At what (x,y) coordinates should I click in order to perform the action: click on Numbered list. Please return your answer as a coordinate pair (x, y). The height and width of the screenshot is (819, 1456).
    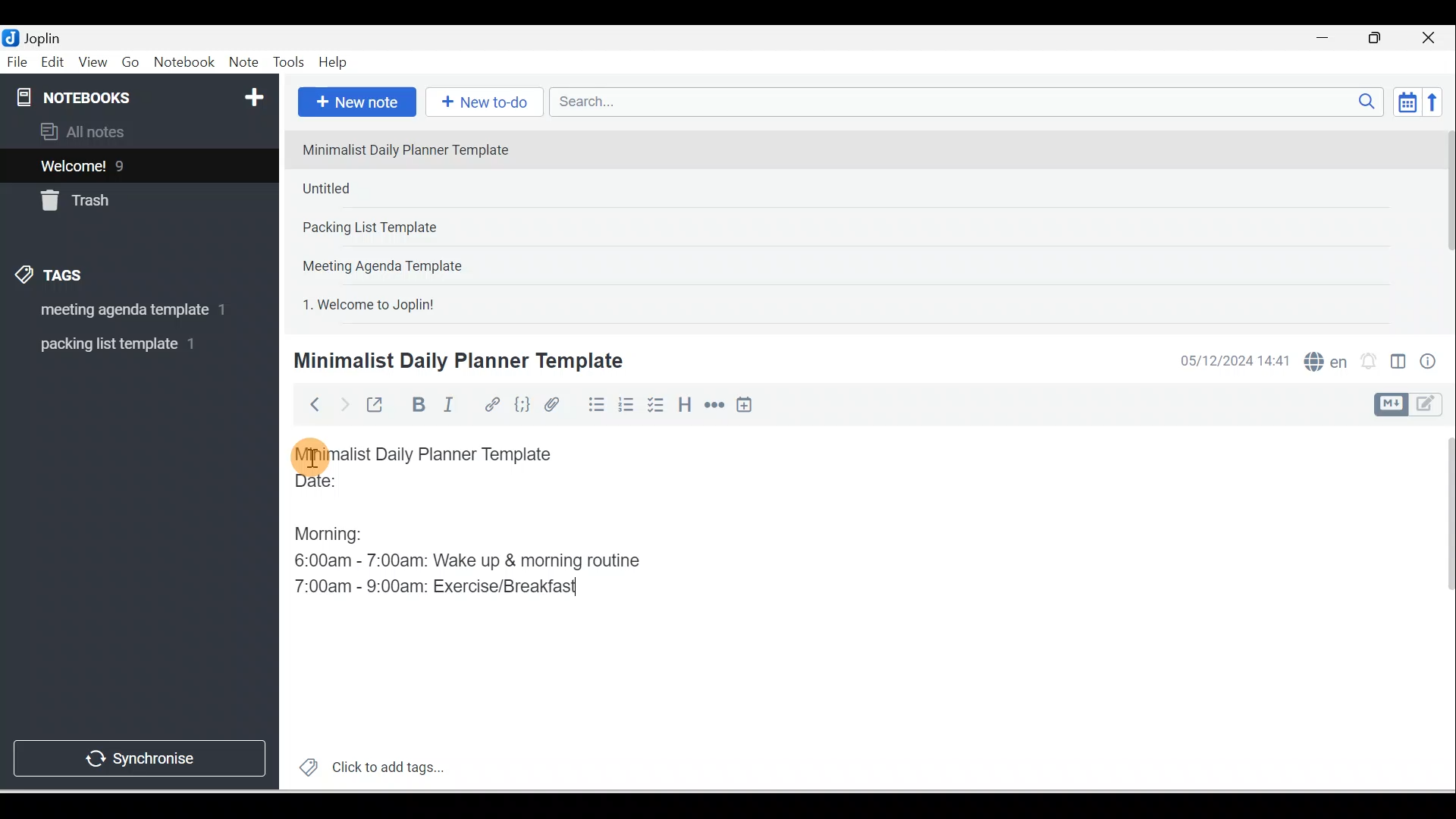
    Looking at the image, I should click on (626, 404).